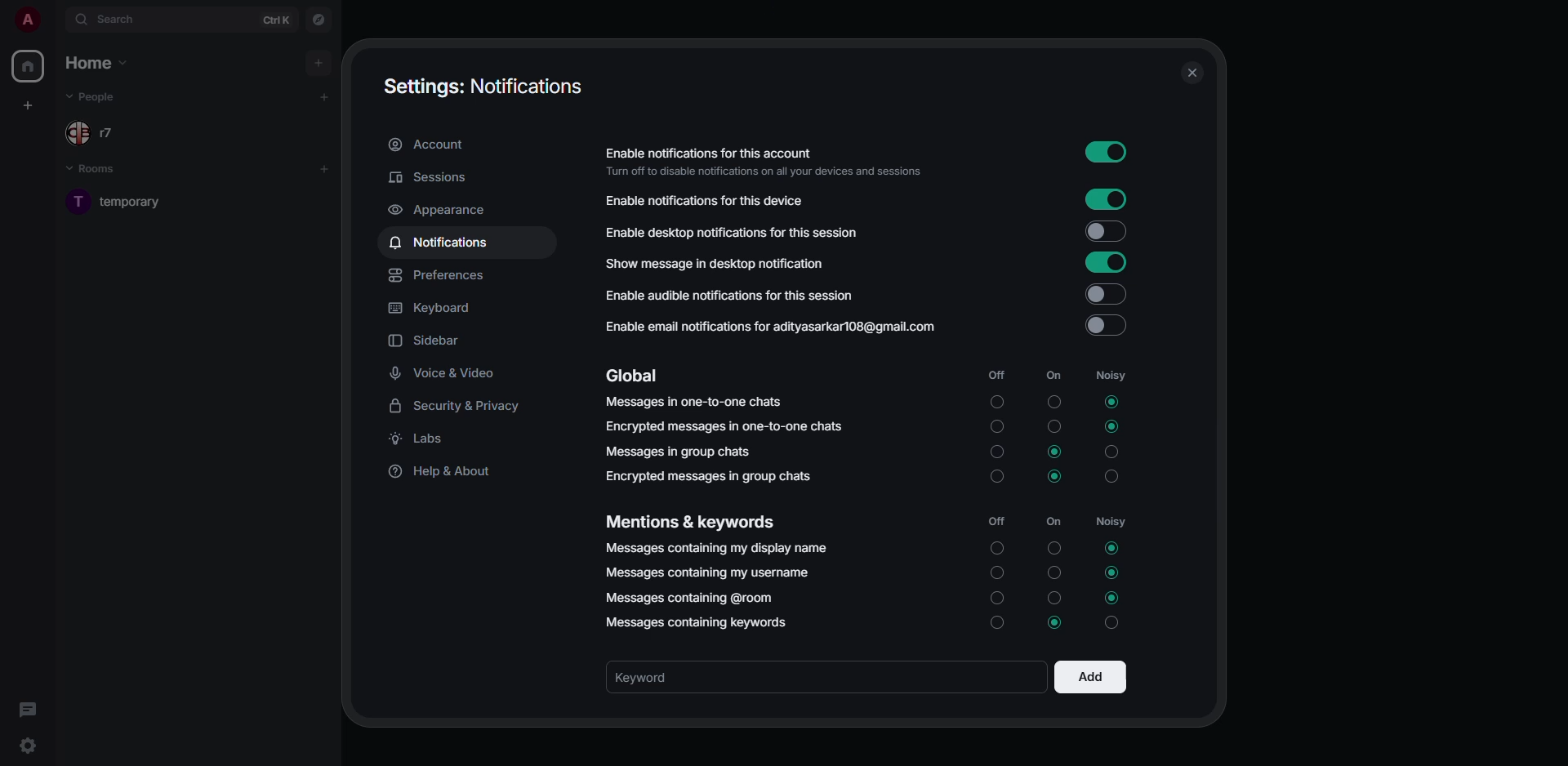  What do you see at coordinates (1191, 75) in the screenshot?
I see `close` at bounding box center [1191, 75].